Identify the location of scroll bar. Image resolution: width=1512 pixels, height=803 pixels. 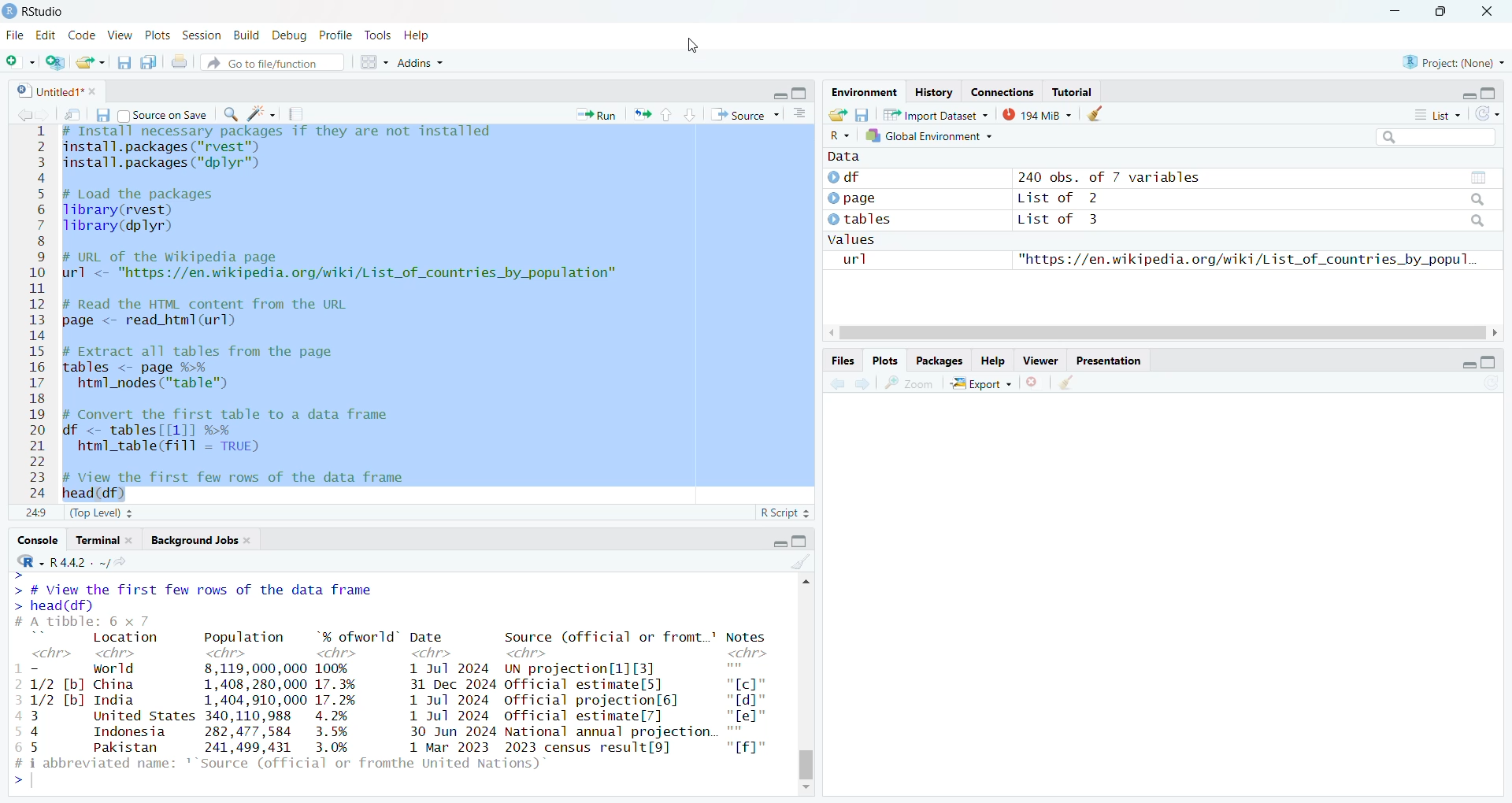
(1164, 333).